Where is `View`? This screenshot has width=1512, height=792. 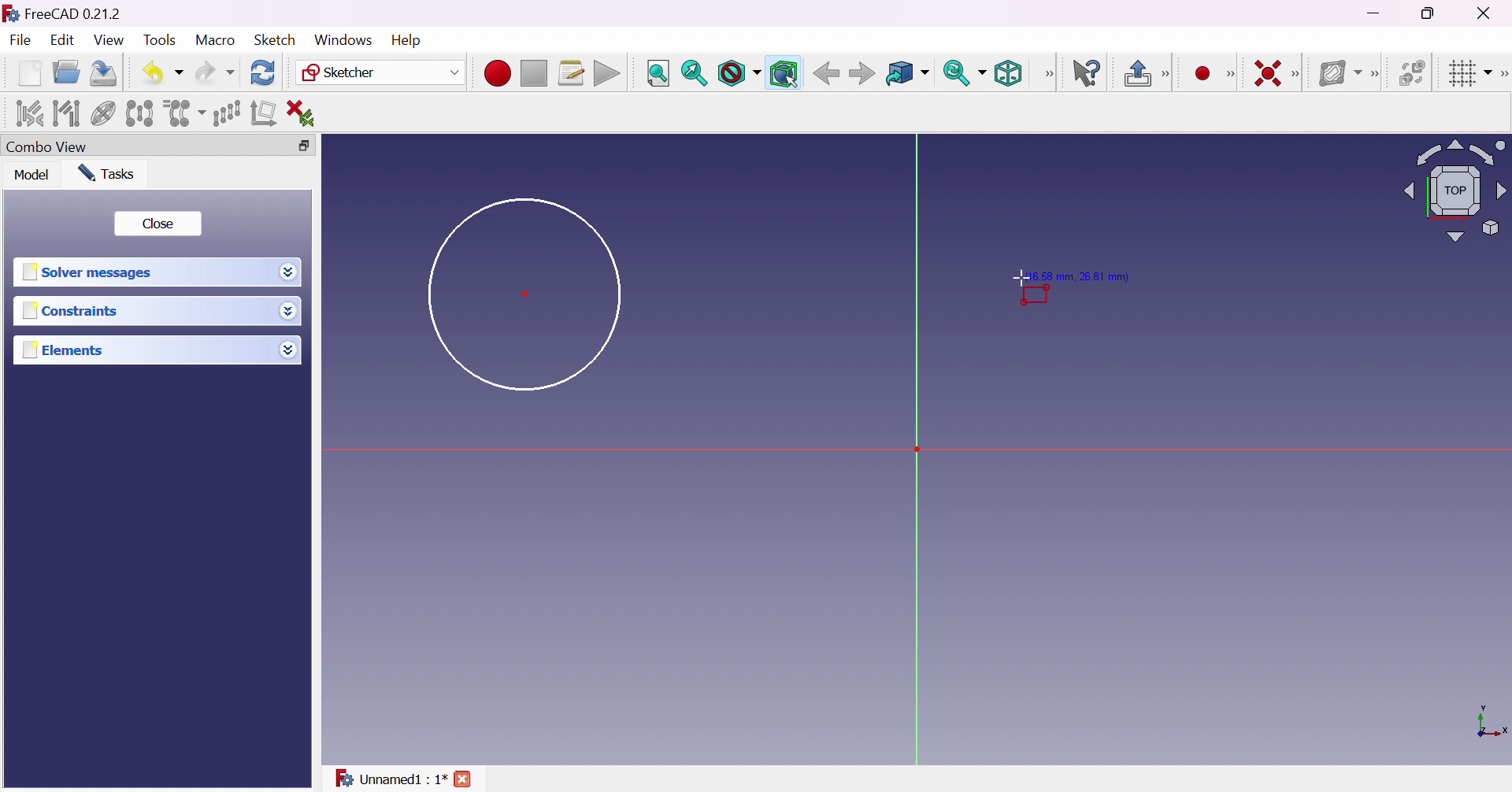
View is located at coordinates (1050, 73).